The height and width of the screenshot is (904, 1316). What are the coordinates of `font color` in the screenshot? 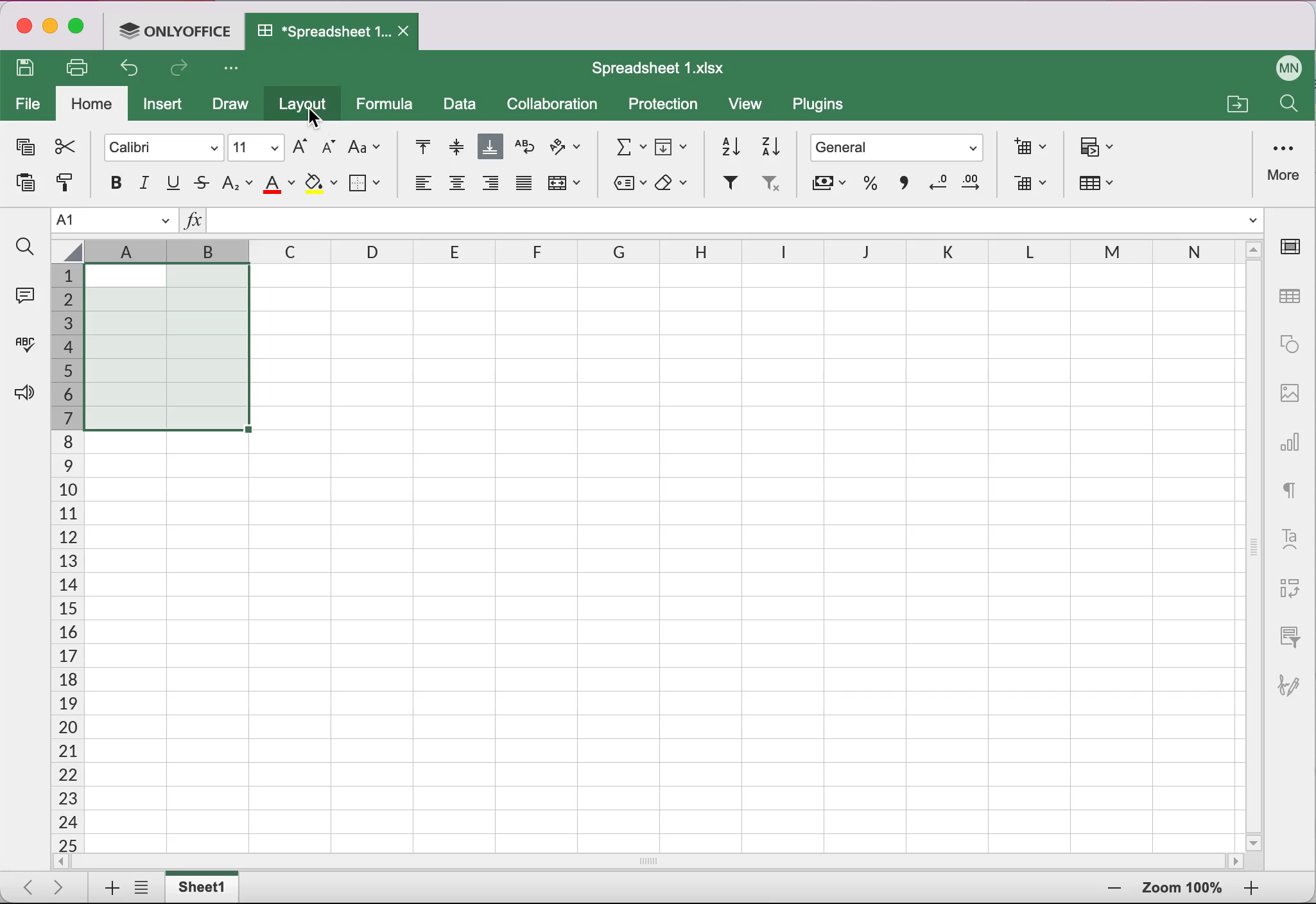 It's located at (280, 184).